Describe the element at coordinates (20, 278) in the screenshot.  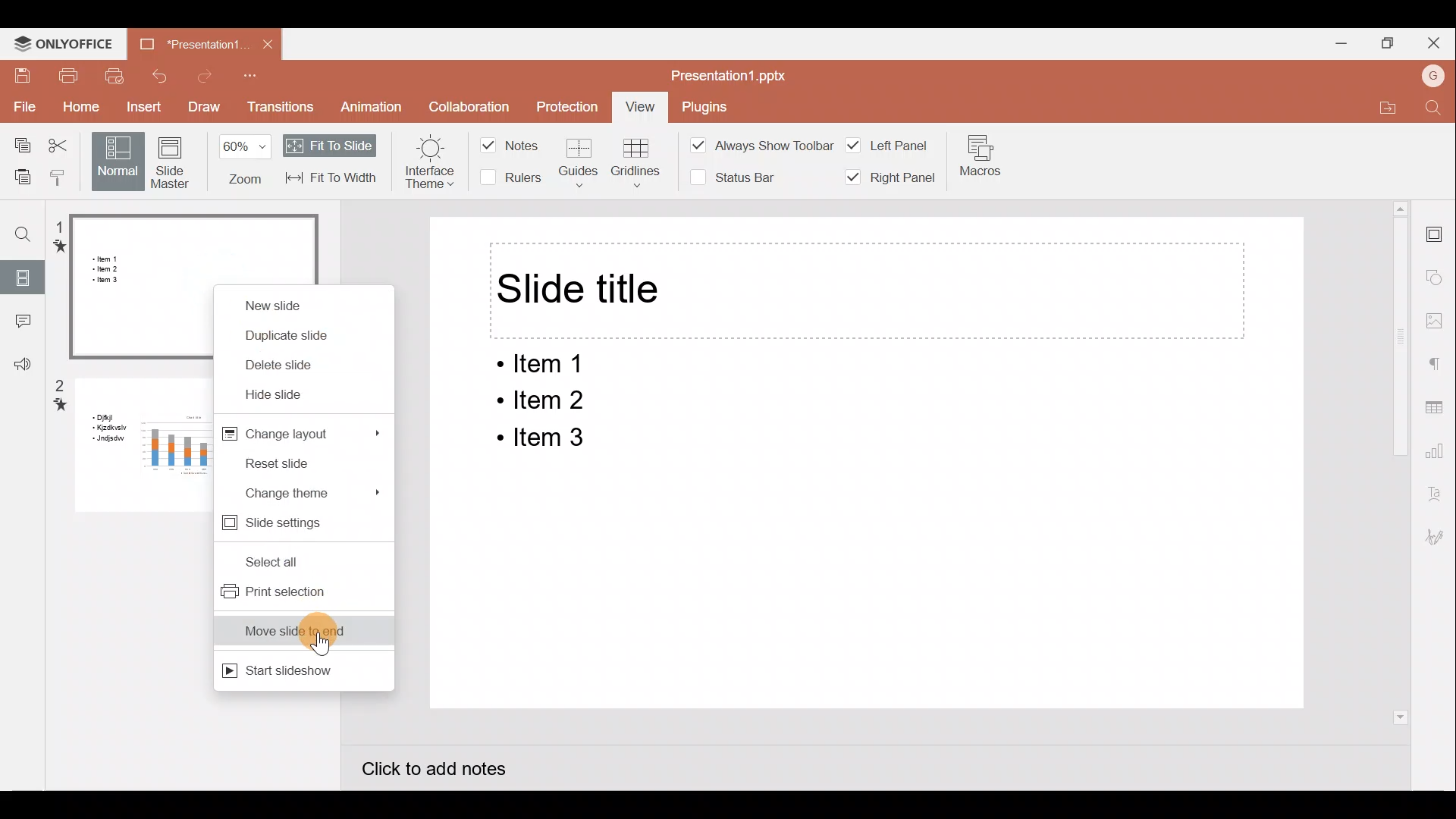
I see `Slides` at that location.